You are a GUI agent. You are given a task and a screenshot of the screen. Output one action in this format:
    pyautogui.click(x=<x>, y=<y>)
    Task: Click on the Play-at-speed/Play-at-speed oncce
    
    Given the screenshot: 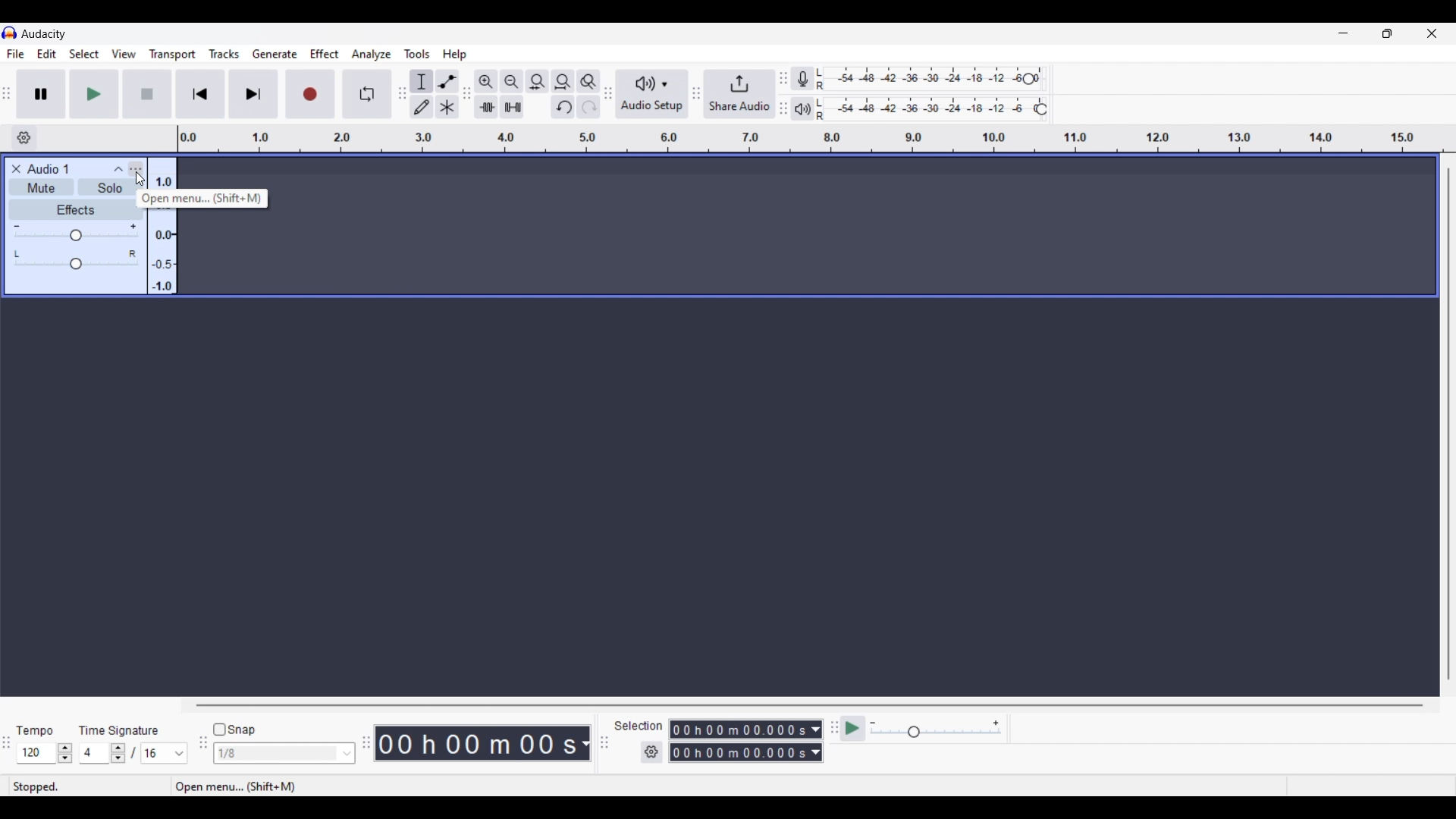 What is the action you would take?
    pyautogui.click(x=853, y=729)
    